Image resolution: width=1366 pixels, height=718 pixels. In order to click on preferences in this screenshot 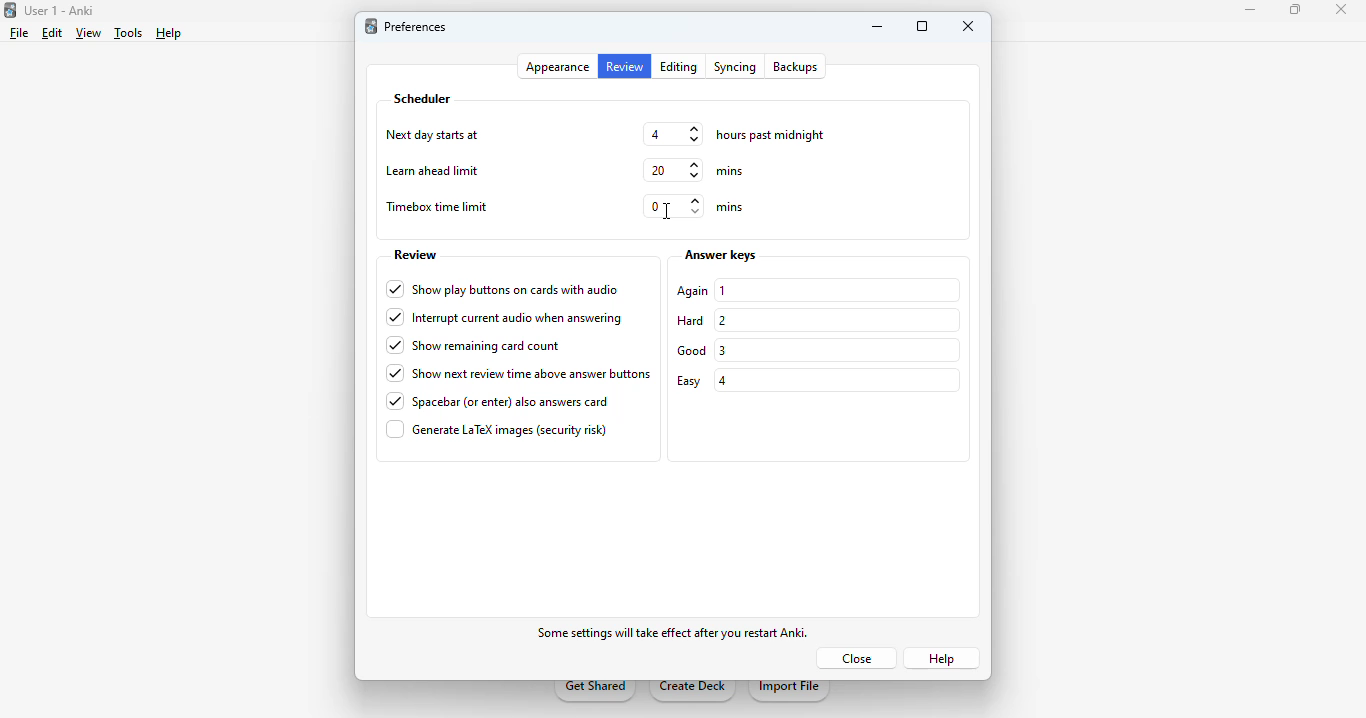, I will do `click(417, 26)`.